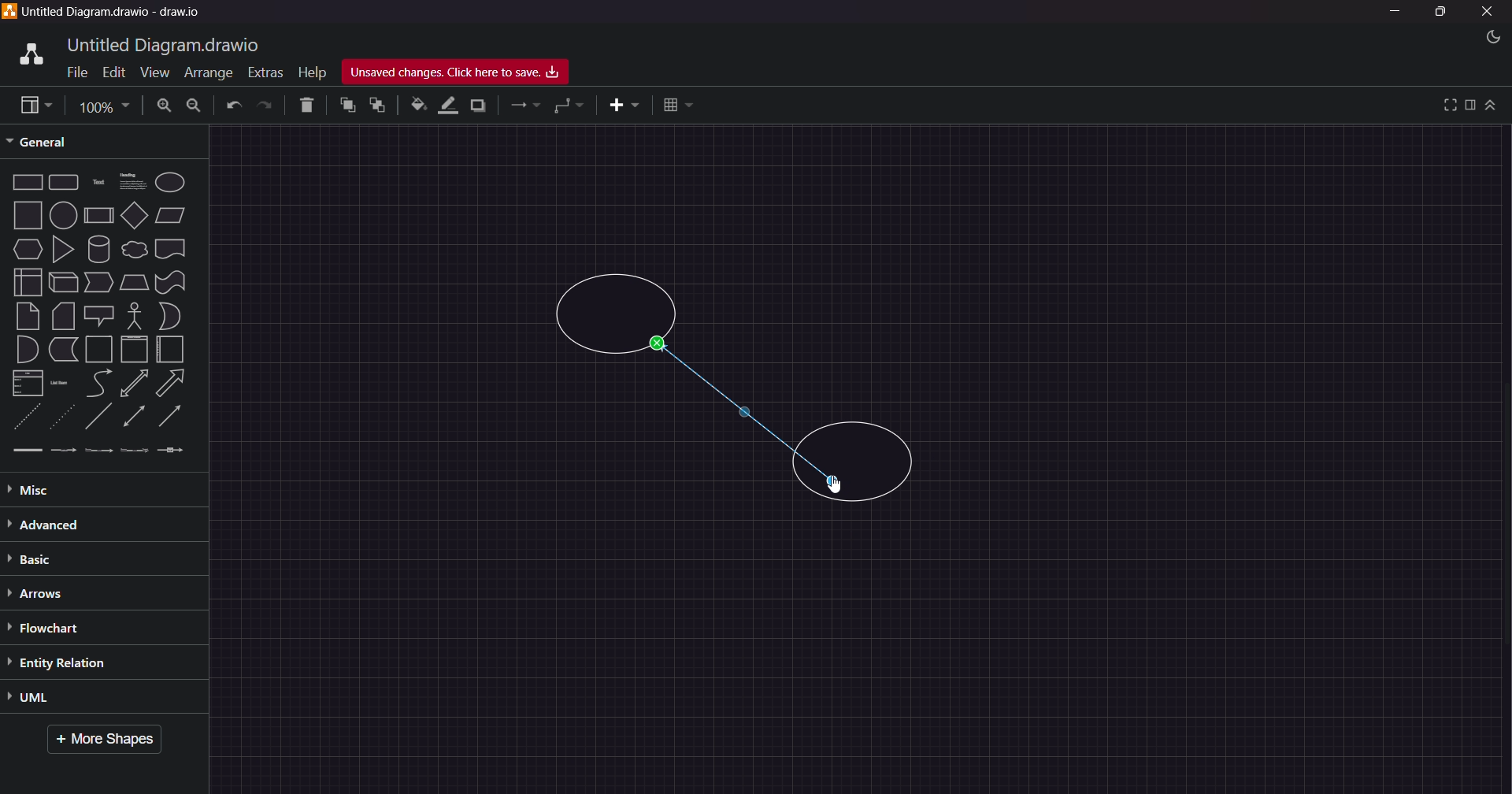  I want to click on line color, so click(448, 105).